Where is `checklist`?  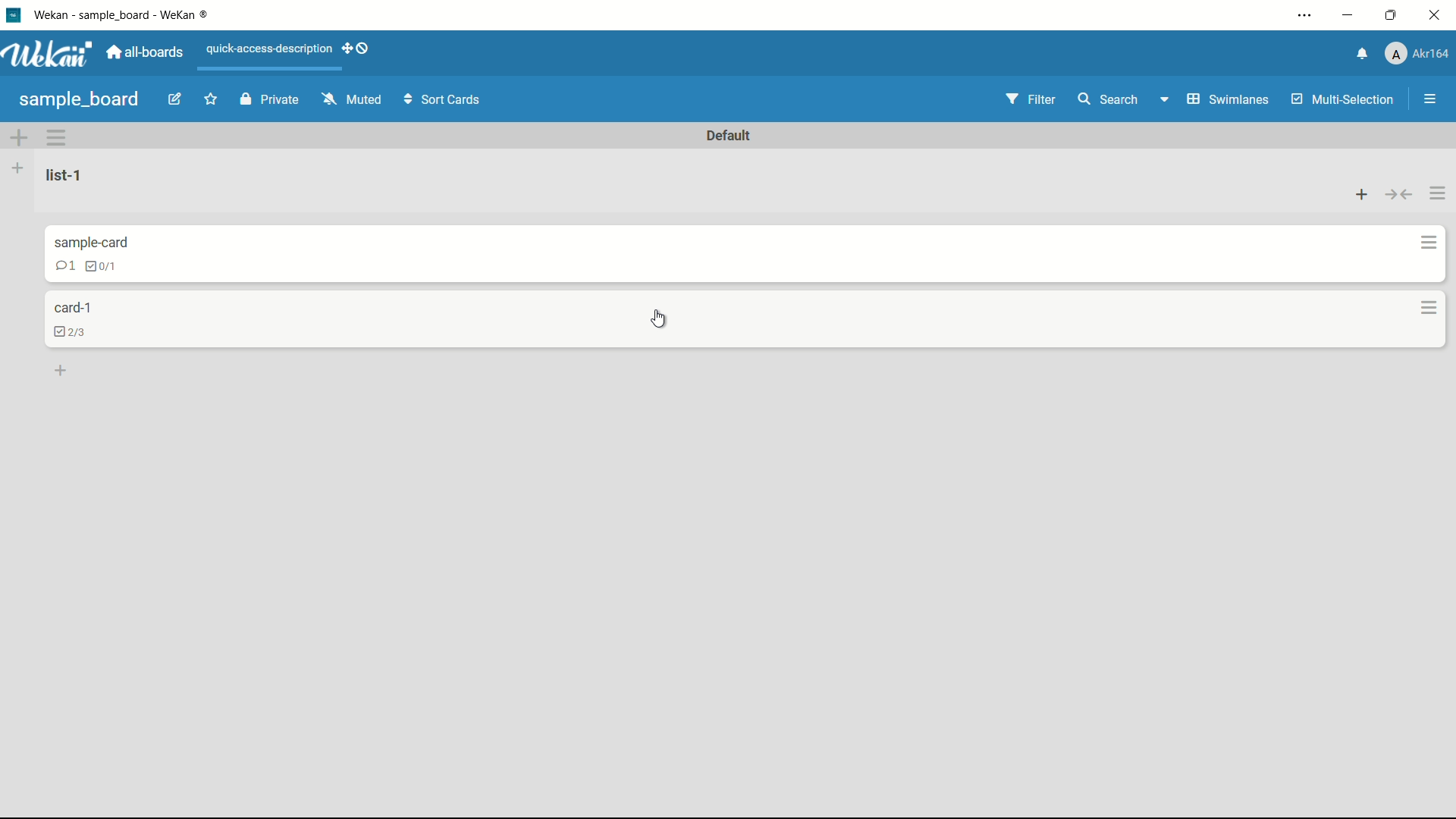
checklist is located at coordinates (72, 334).